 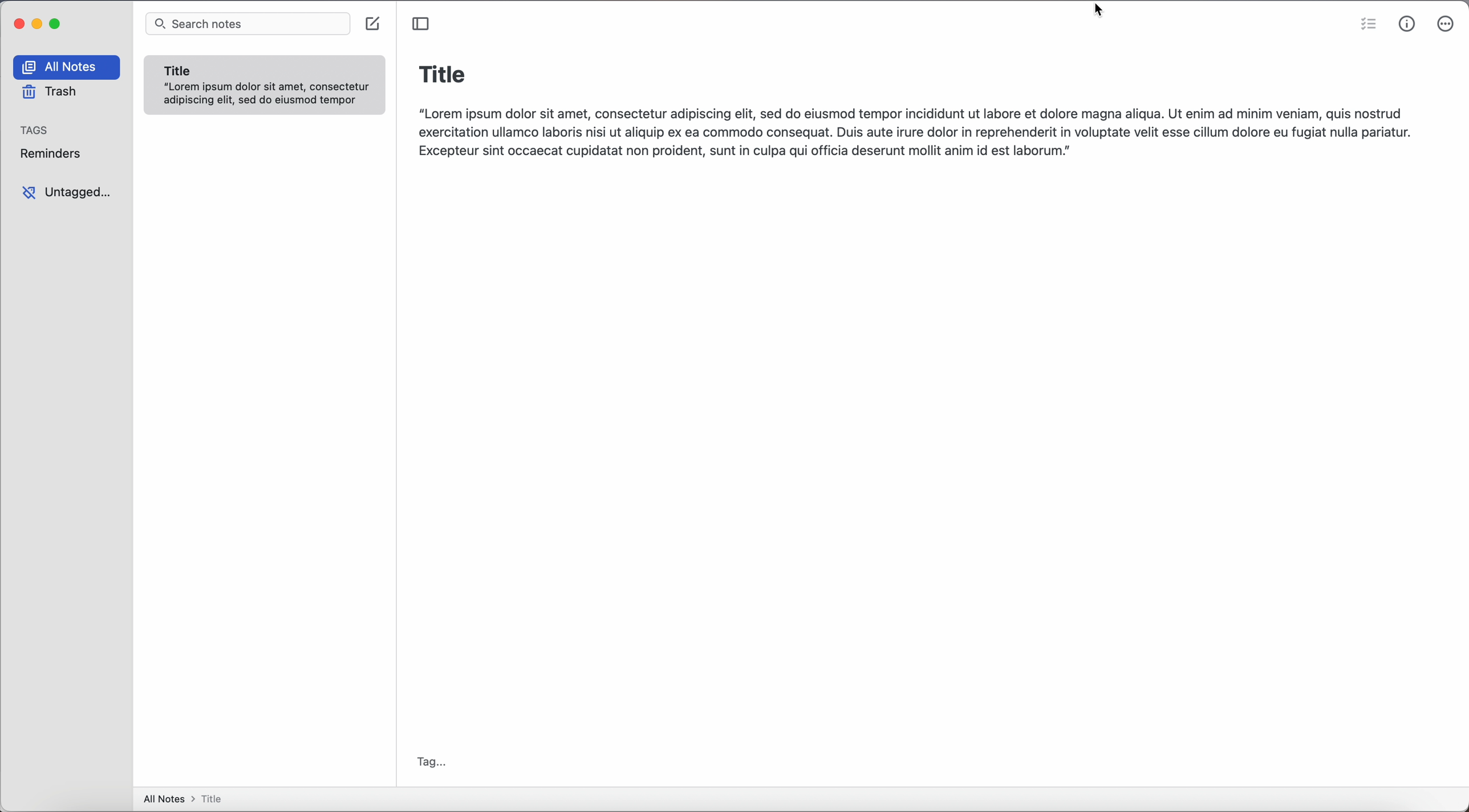 What do you see at coordinates (443, 72) in the screenshot?
I see `title` at bounding box center [443, 72].